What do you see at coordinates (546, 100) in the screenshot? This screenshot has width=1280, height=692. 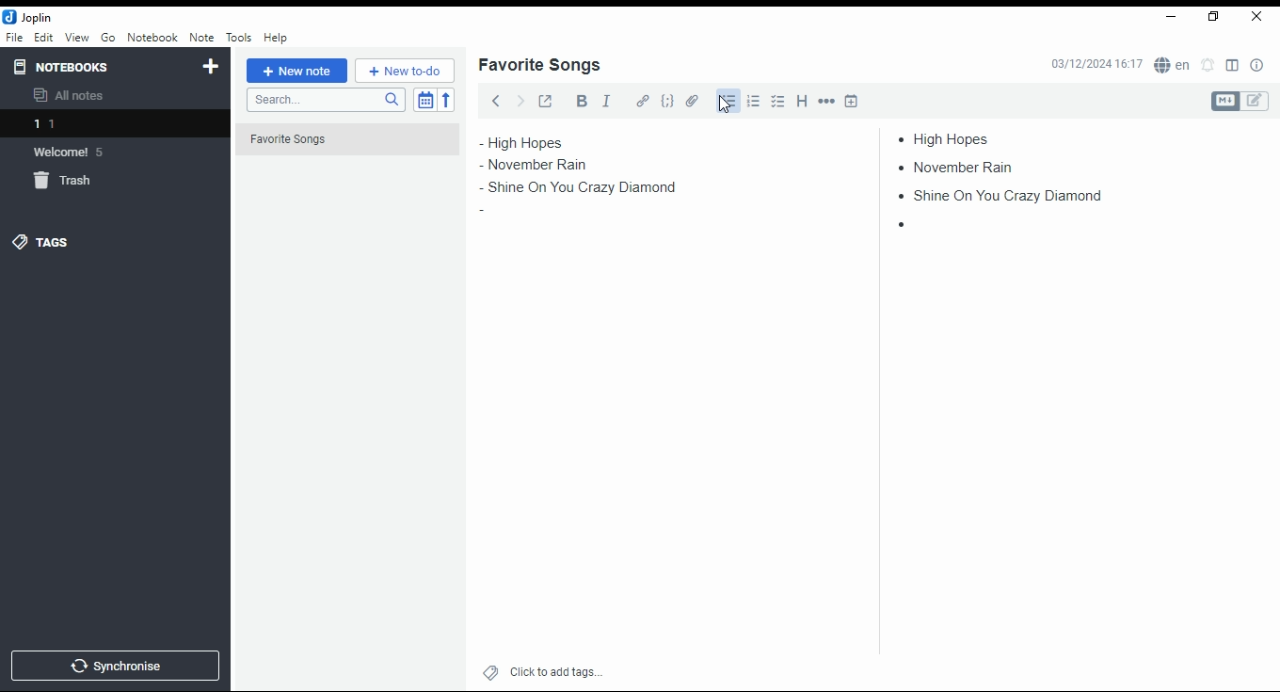 I see `toggle external editing` at bounding box center [546, 100].